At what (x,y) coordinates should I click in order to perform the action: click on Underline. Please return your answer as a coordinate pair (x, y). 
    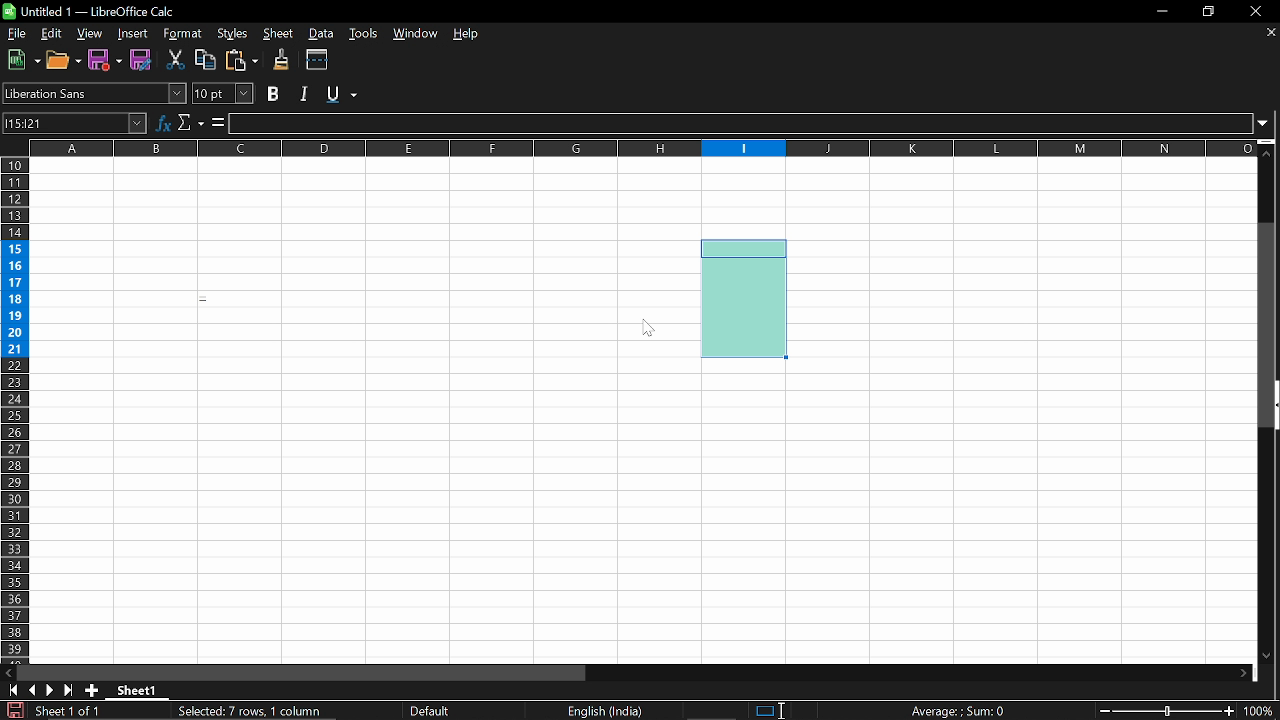
    Looking at the image, I should click on (344, 95).